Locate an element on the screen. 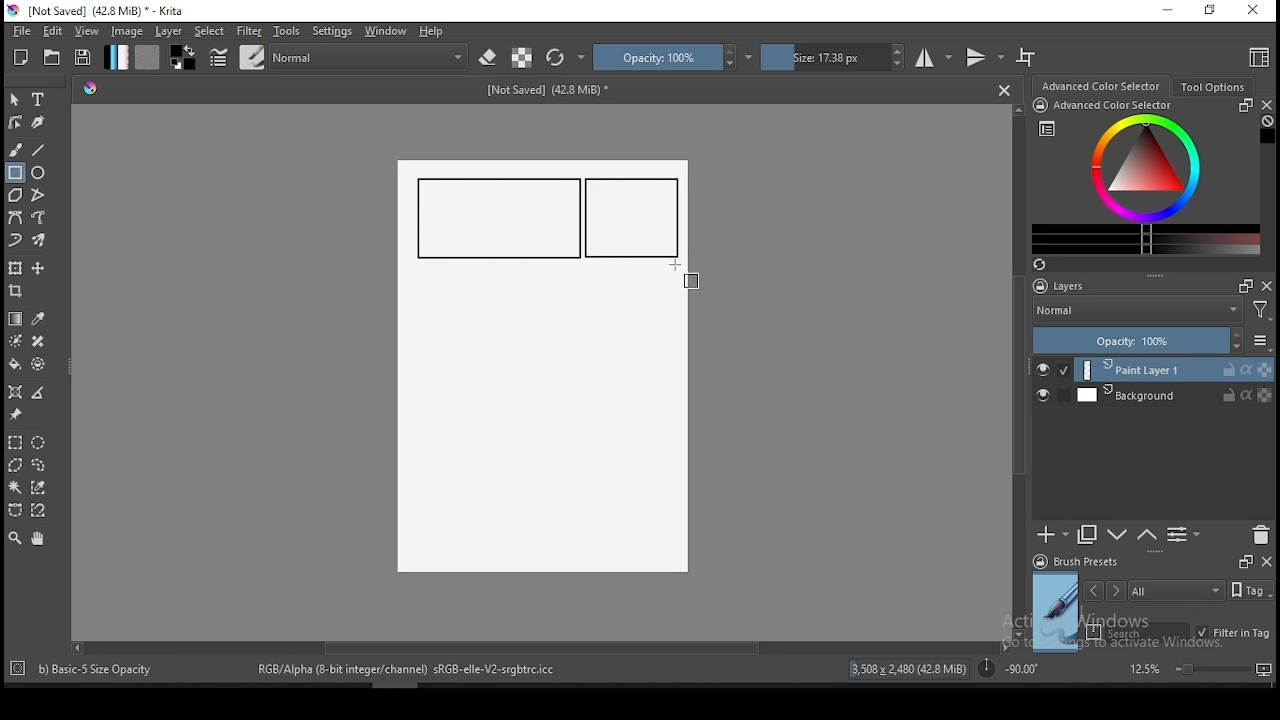 This screenshot has width=1280, height=720. polygon selection tool is located at coordinates (16, 465).